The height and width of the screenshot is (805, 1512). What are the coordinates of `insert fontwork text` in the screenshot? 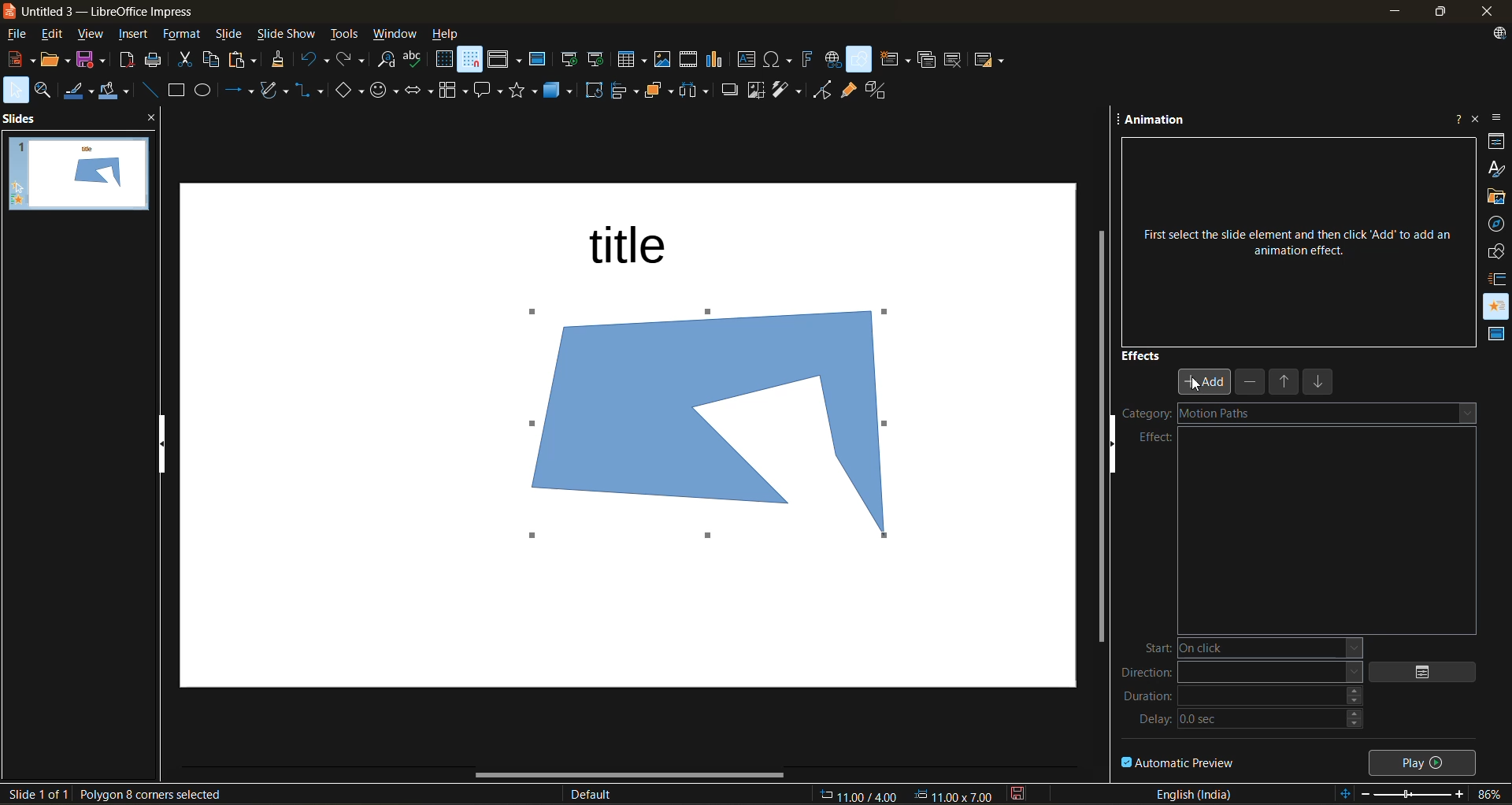 It's located at (806, 61).